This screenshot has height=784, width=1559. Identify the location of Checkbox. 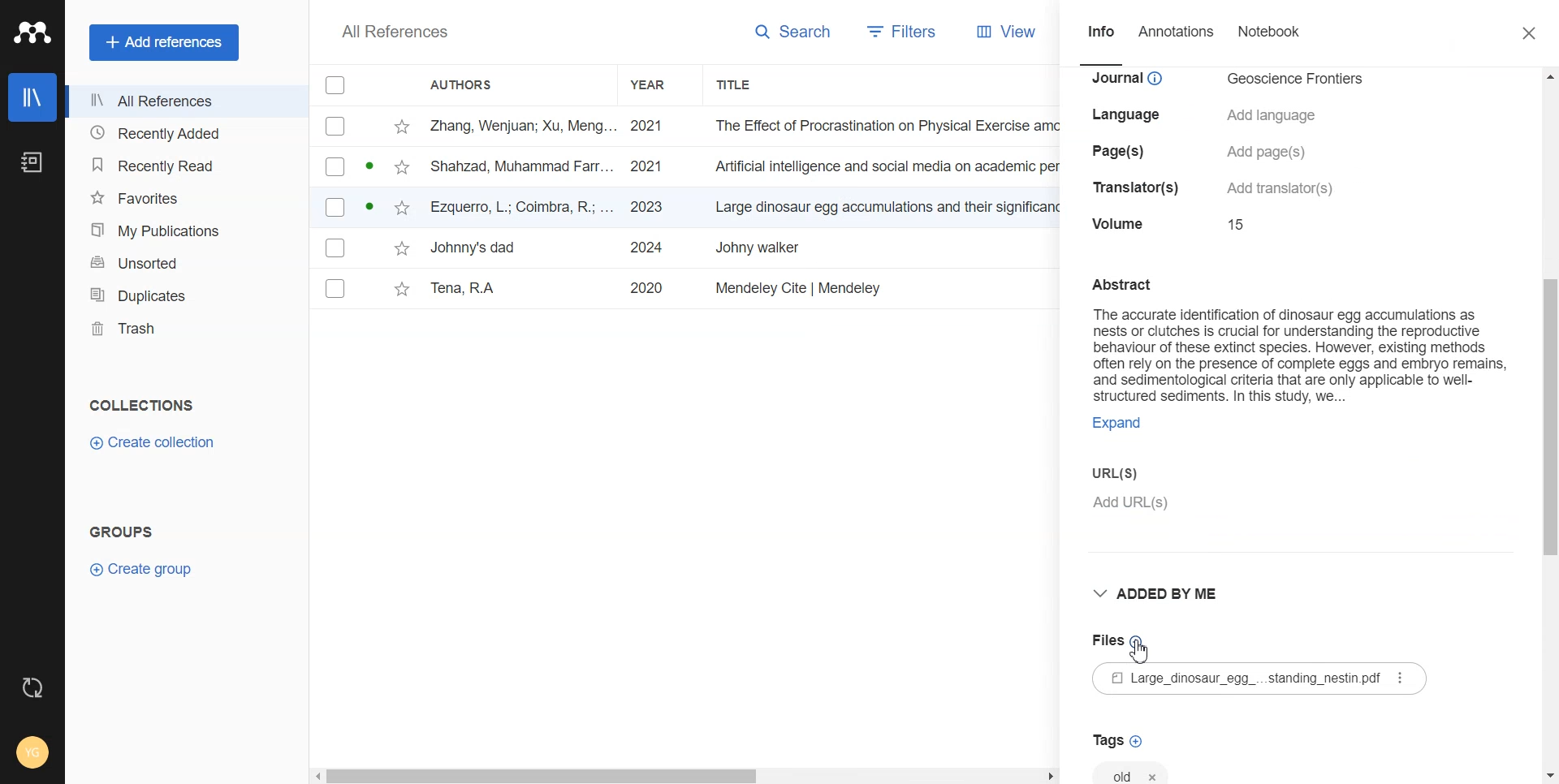
(335, 167).